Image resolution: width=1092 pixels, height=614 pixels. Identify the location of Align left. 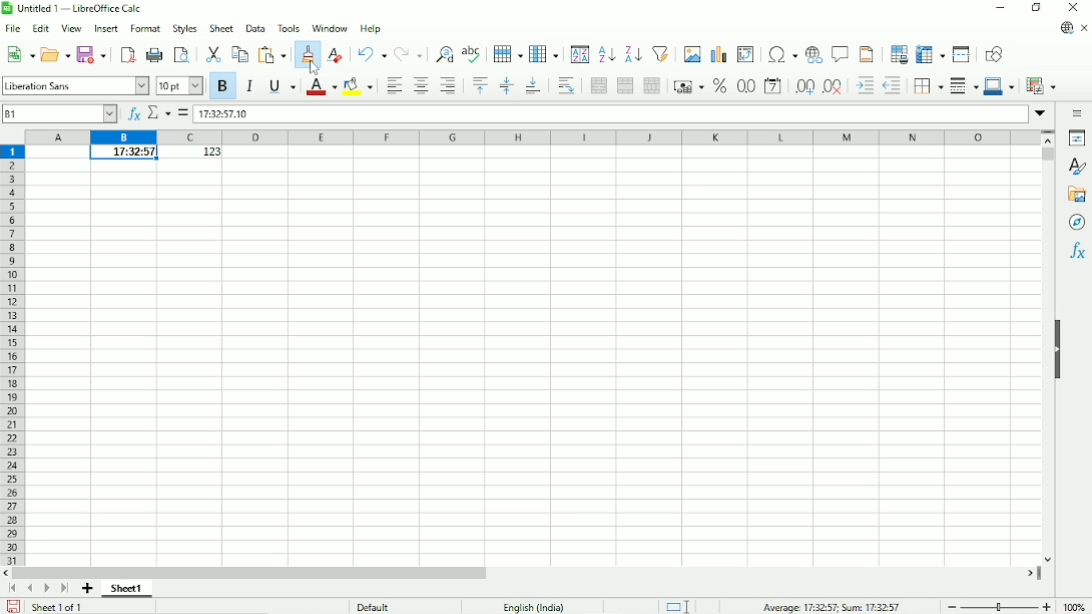
(393, 85).